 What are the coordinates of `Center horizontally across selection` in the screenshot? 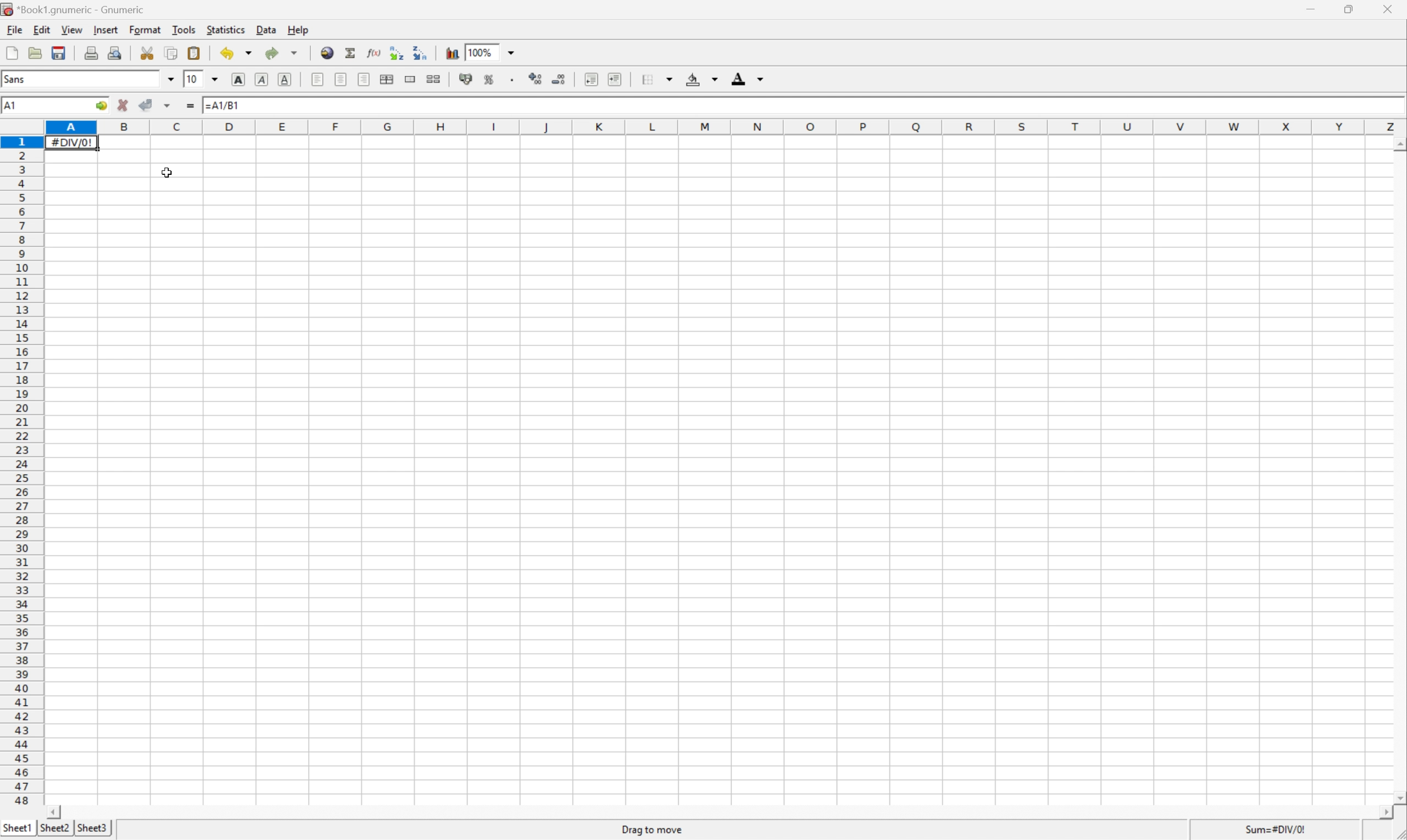 It's located at (388, 79).